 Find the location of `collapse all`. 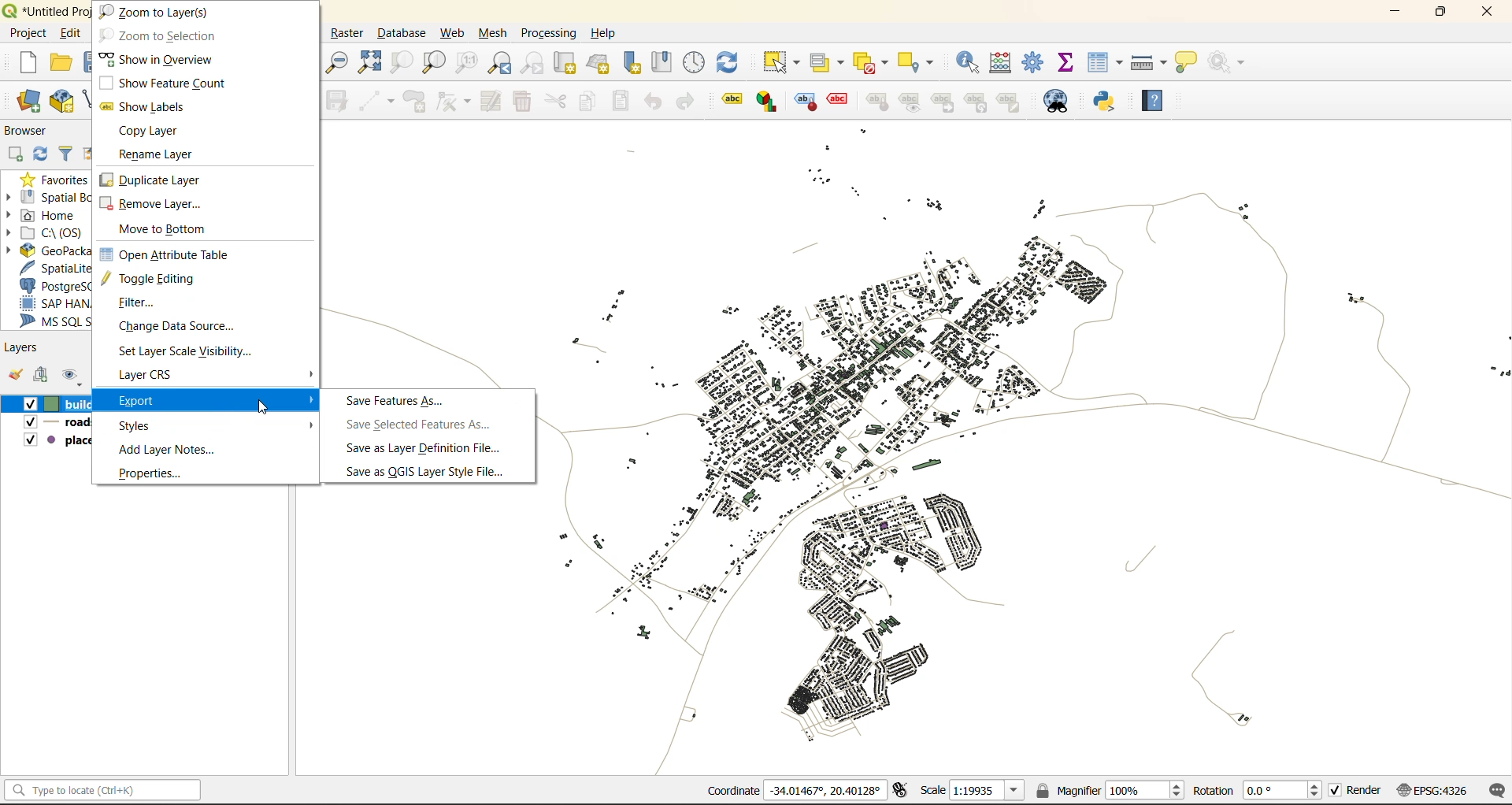

collapse all is located at coordinates (91, 152).